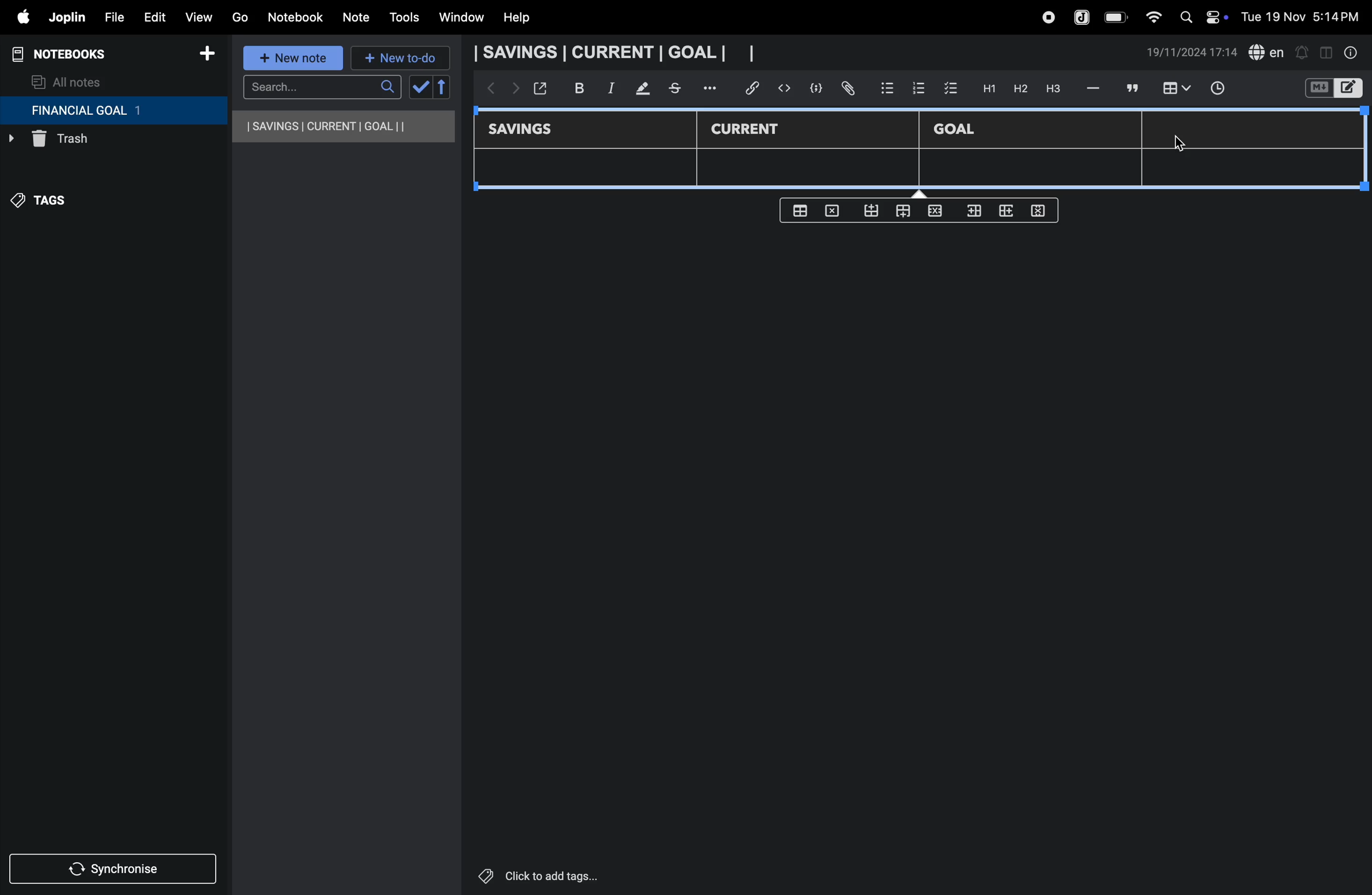  Describe the element at coordinates (1047, 17) in the screenshot. I see `record` at that location.